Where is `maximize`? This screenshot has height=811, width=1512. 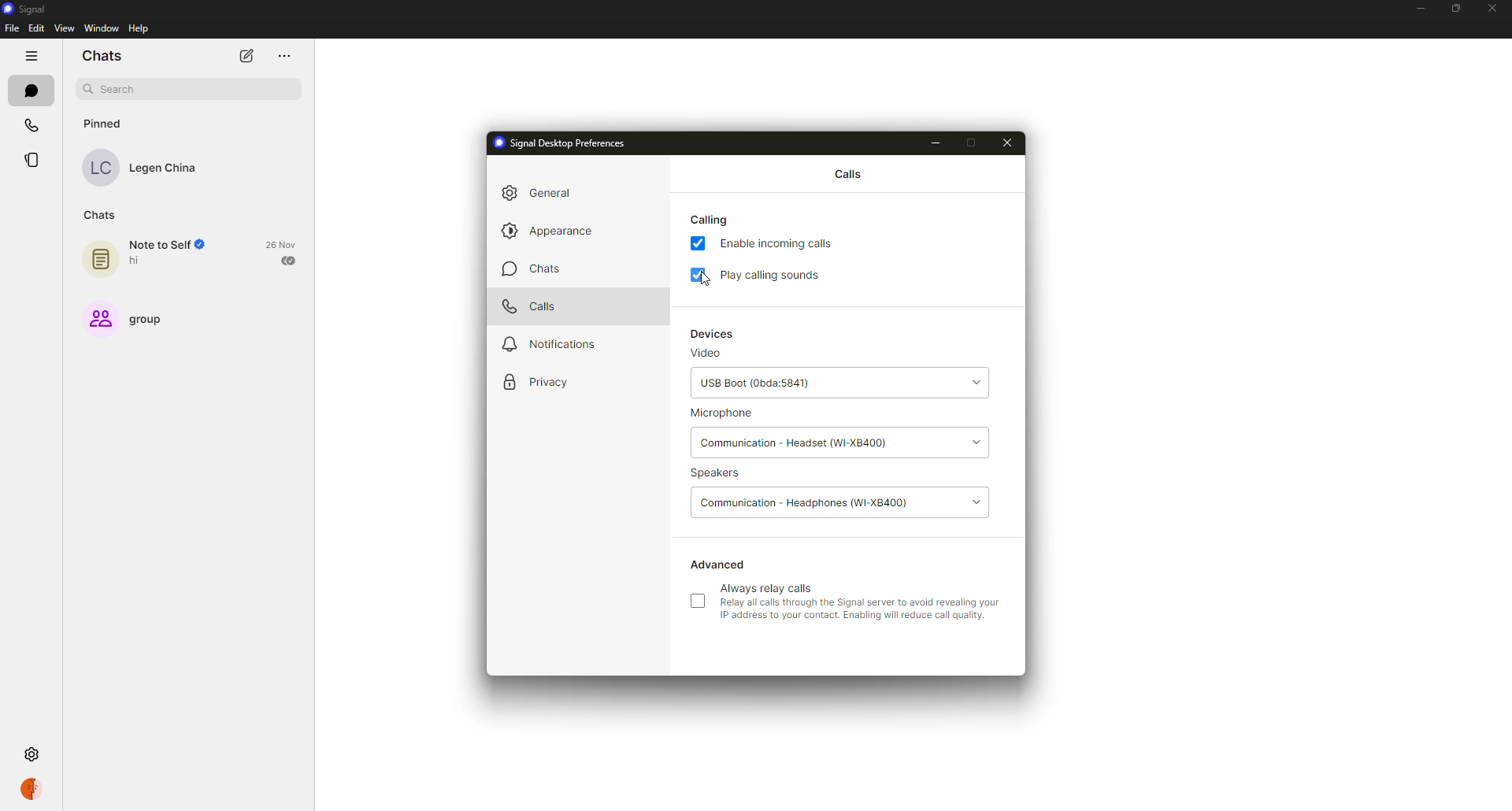 maximize is located at coordinates (971, 143).